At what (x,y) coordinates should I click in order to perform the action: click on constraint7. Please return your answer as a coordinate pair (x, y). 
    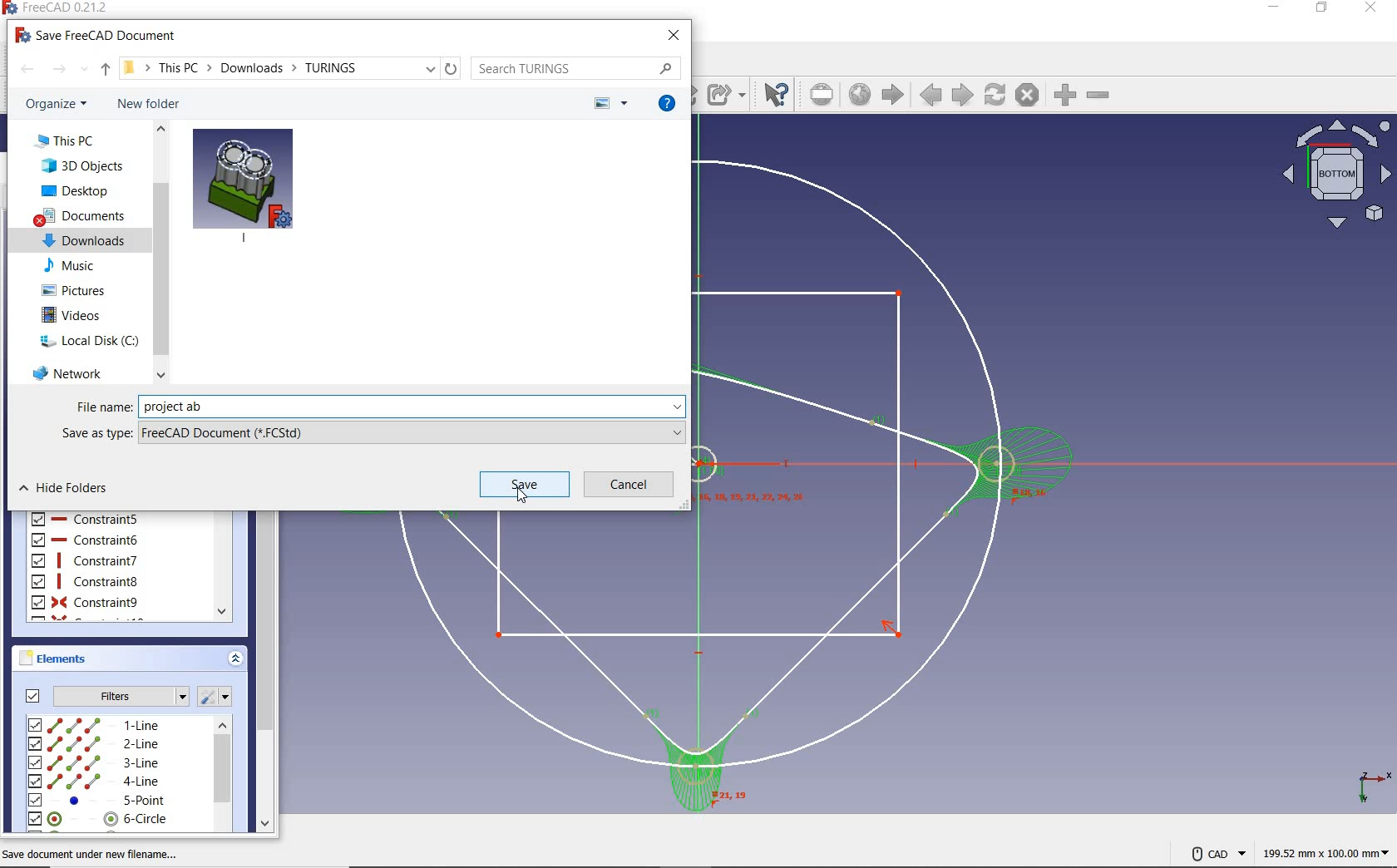
    Looking at the image, I should click on (84, 560).